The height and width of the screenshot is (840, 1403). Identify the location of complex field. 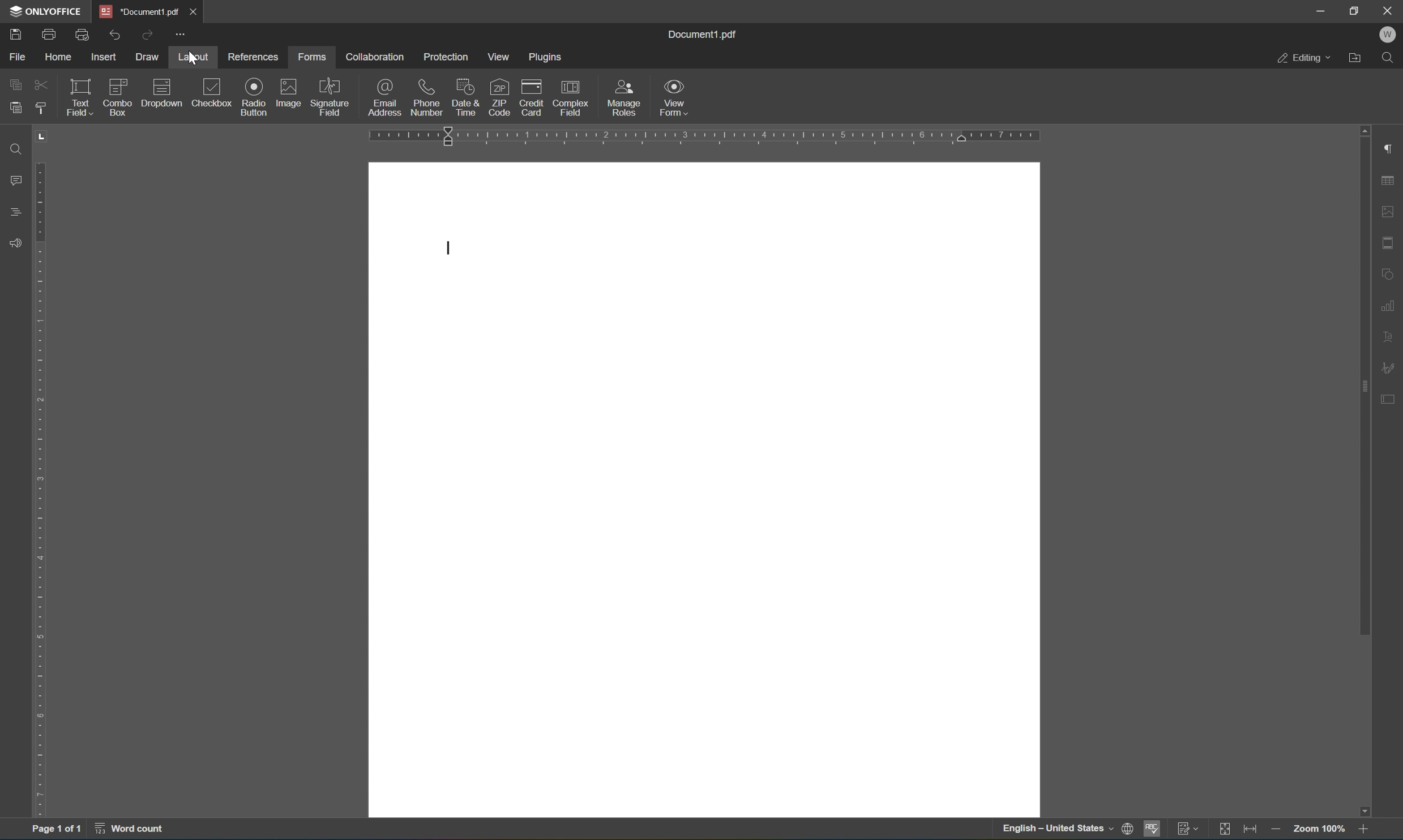
(574, 97).